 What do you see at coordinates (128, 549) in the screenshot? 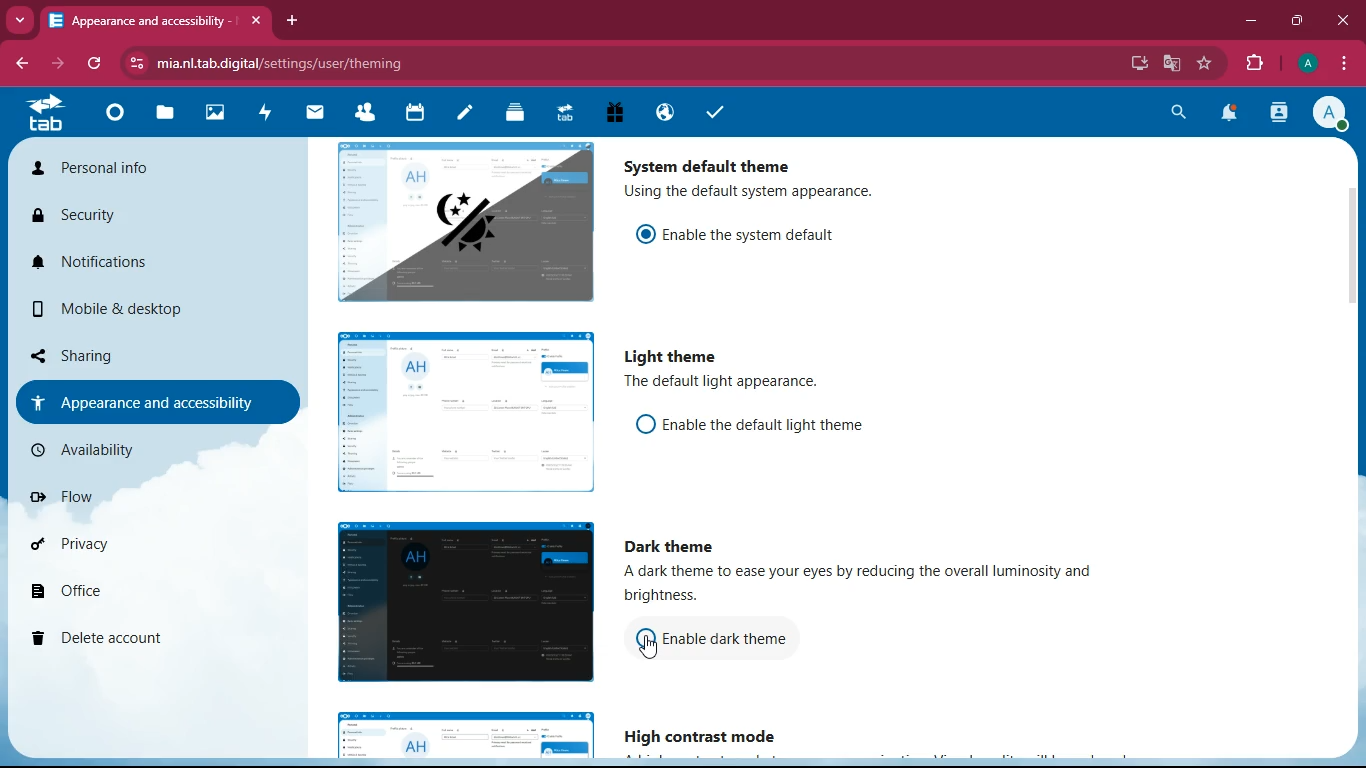
I see `privacy` at bounding box center [128, 549].